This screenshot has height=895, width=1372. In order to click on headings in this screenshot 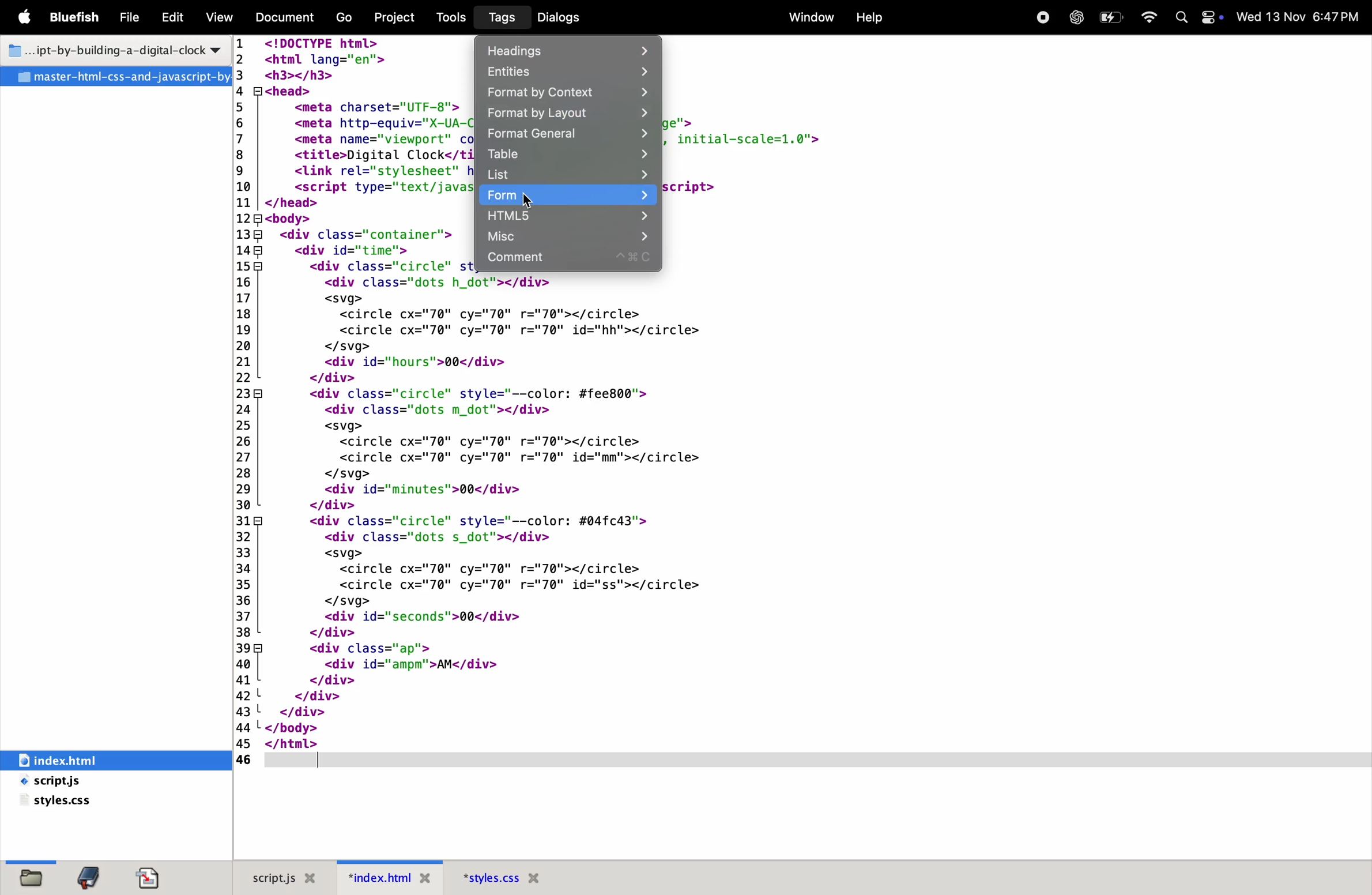, I will do `click(570, 51)`.